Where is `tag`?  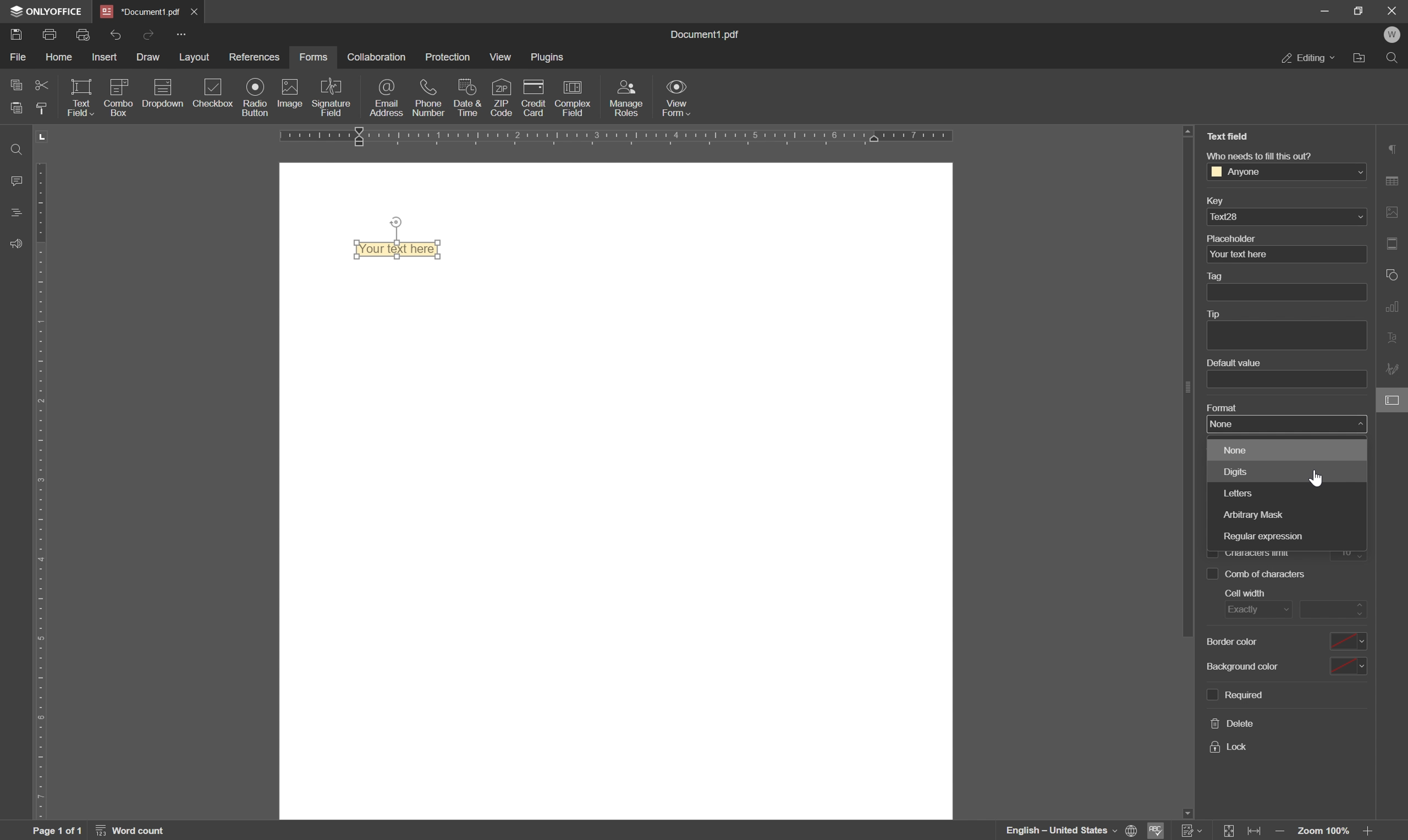 tag is located at coordinates (1213, 276).